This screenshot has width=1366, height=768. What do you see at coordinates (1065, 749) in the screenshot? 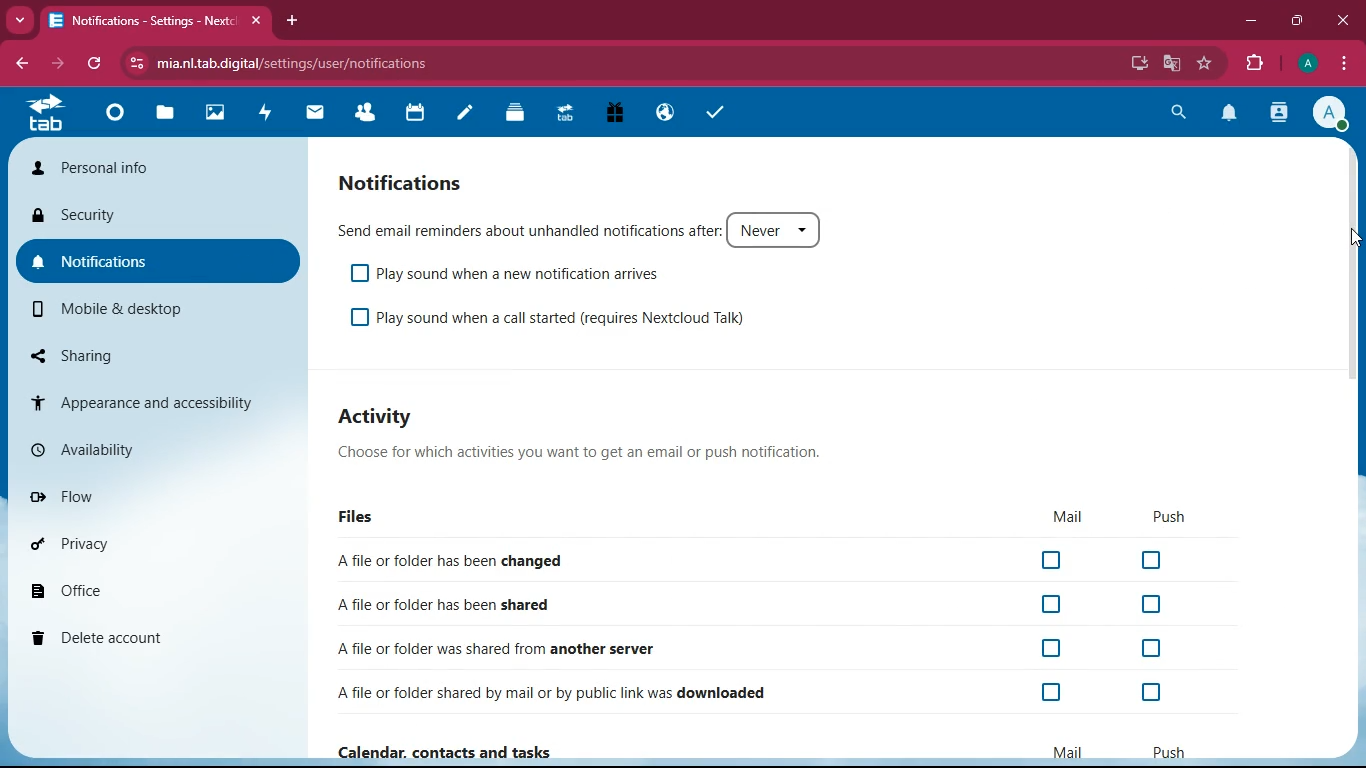
I see `Mail` at bounding box center [1065, 749].